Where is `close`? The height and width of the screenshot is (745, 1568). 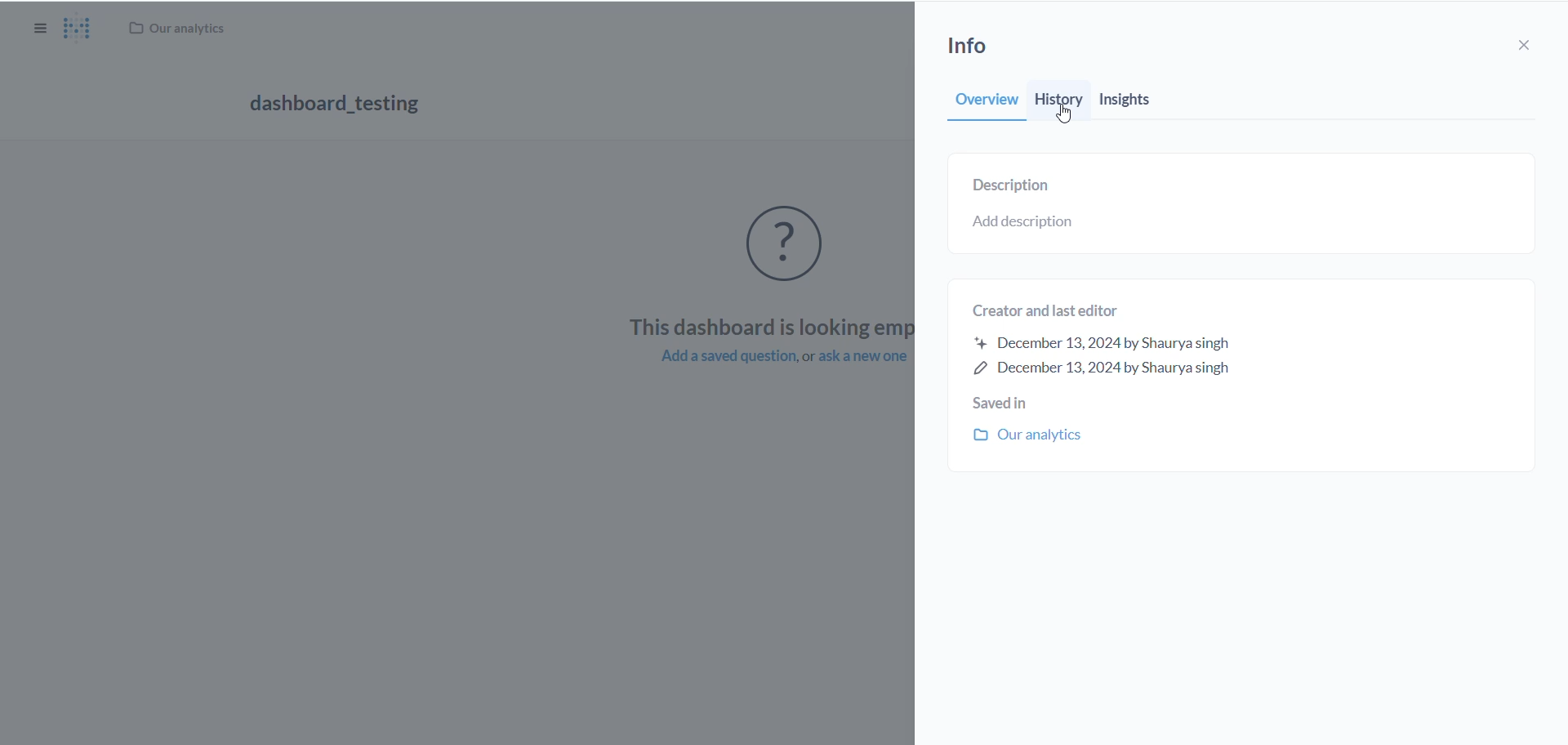
close is located at coordinates (1532, 45).